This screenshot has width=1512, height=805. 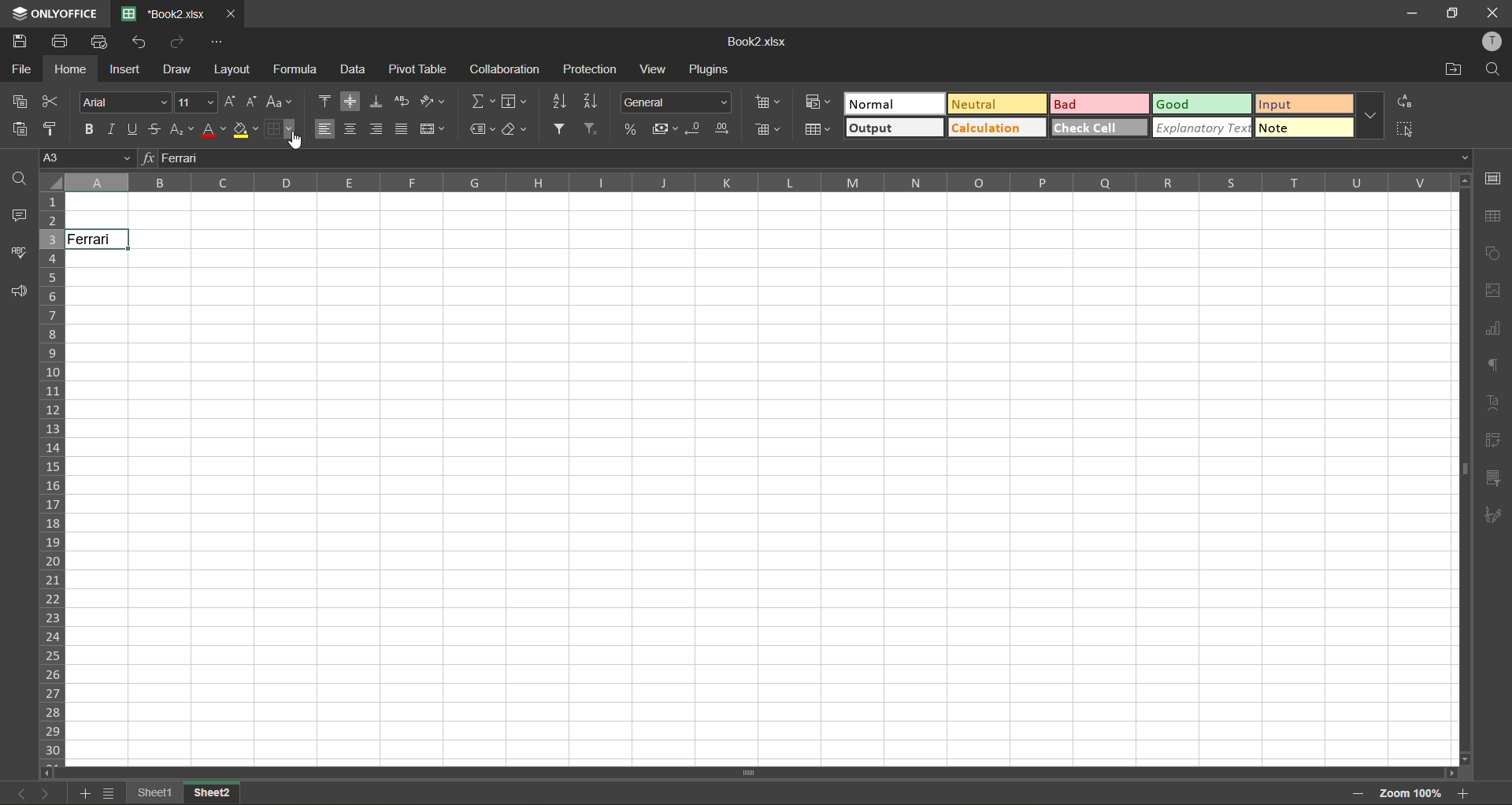 What do you see at coordinates (1358, 792) in the screenshot?
I see `zoom out` at bounding box center [1358, 792].